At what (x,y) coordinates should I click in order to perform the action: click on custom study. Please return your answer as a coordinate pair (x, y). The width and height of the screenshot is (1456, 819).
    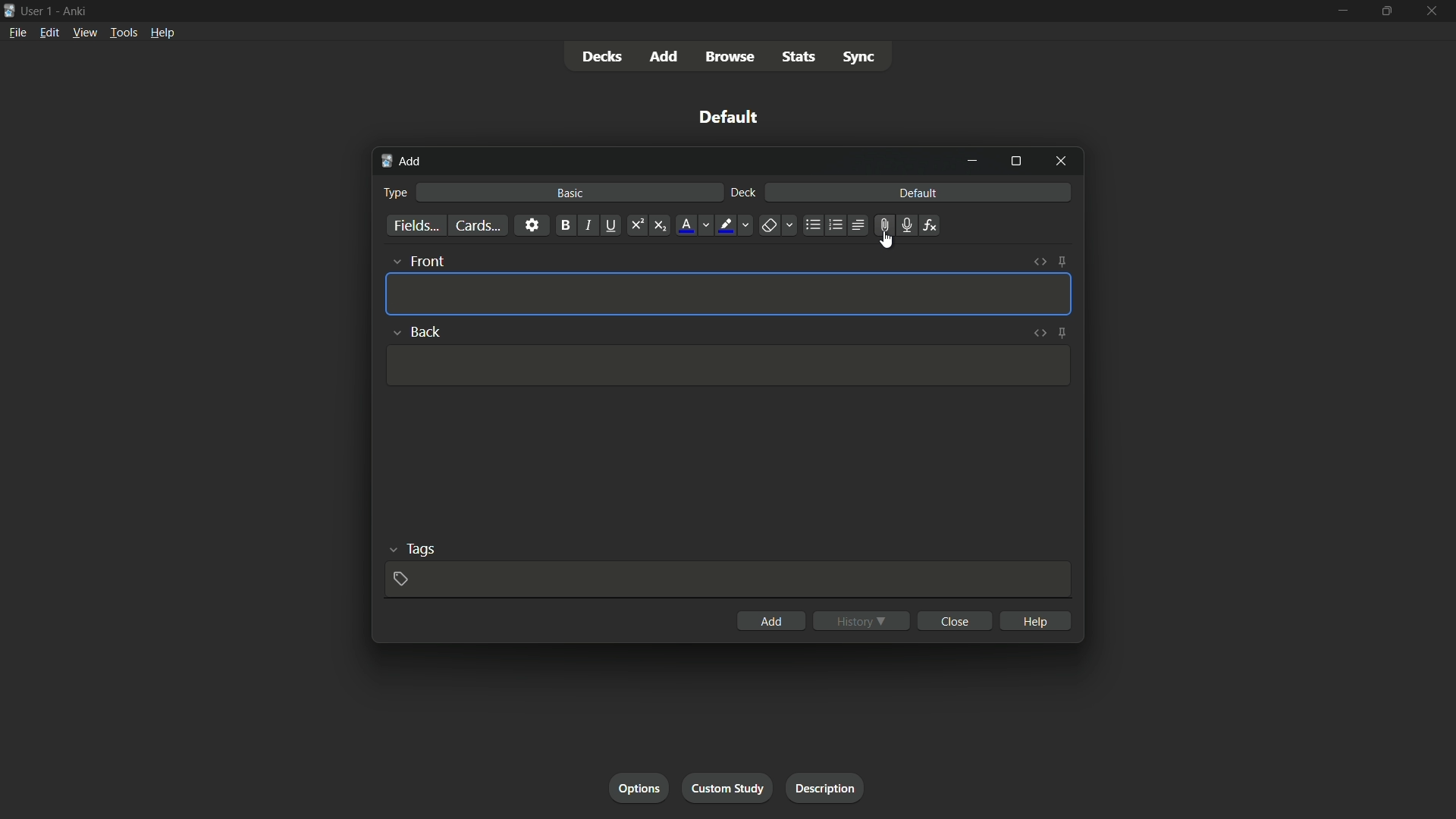
    Looking at the image, I should click on (730, 786).